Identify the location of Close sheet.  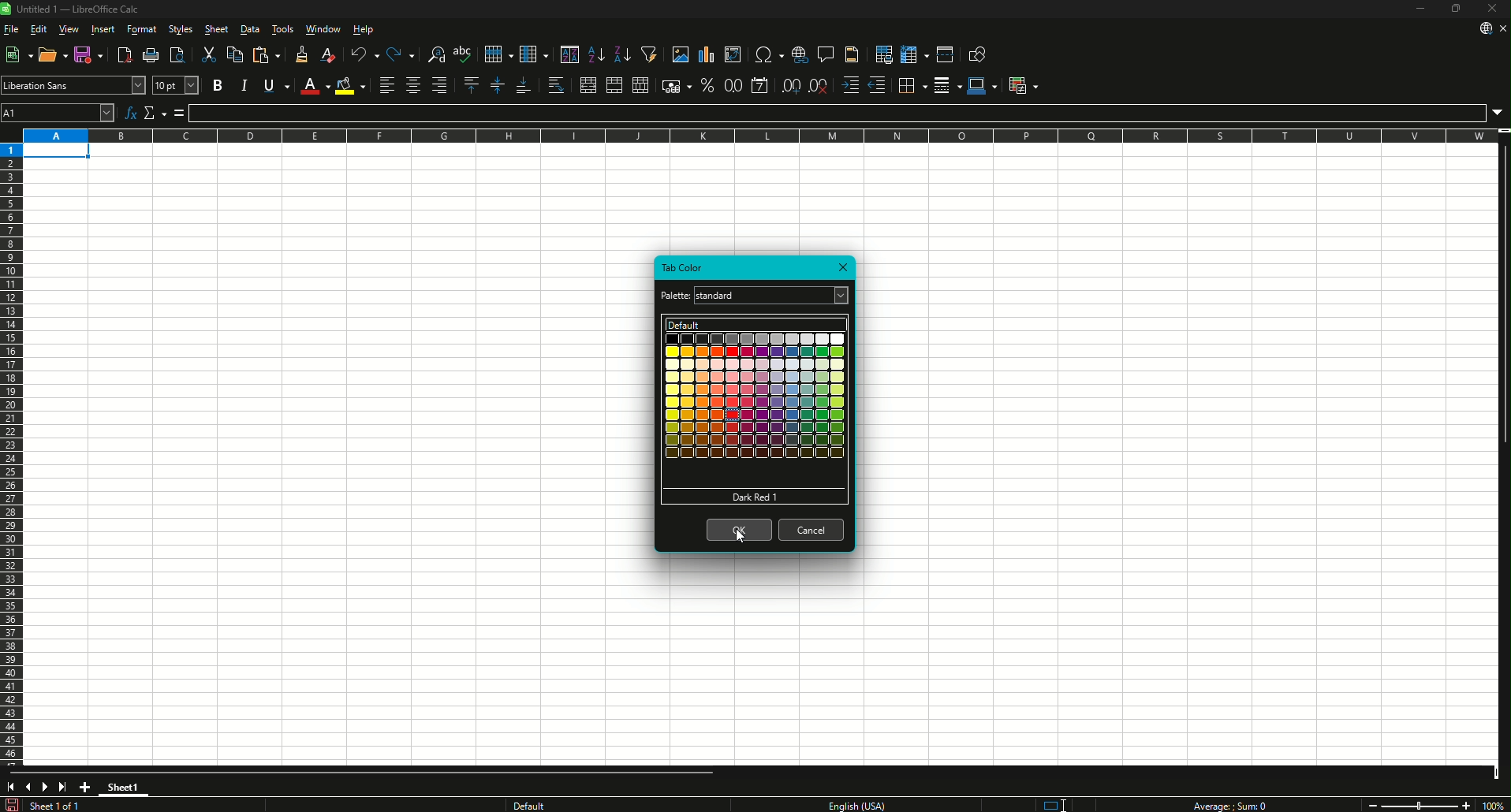
(1502, 28).